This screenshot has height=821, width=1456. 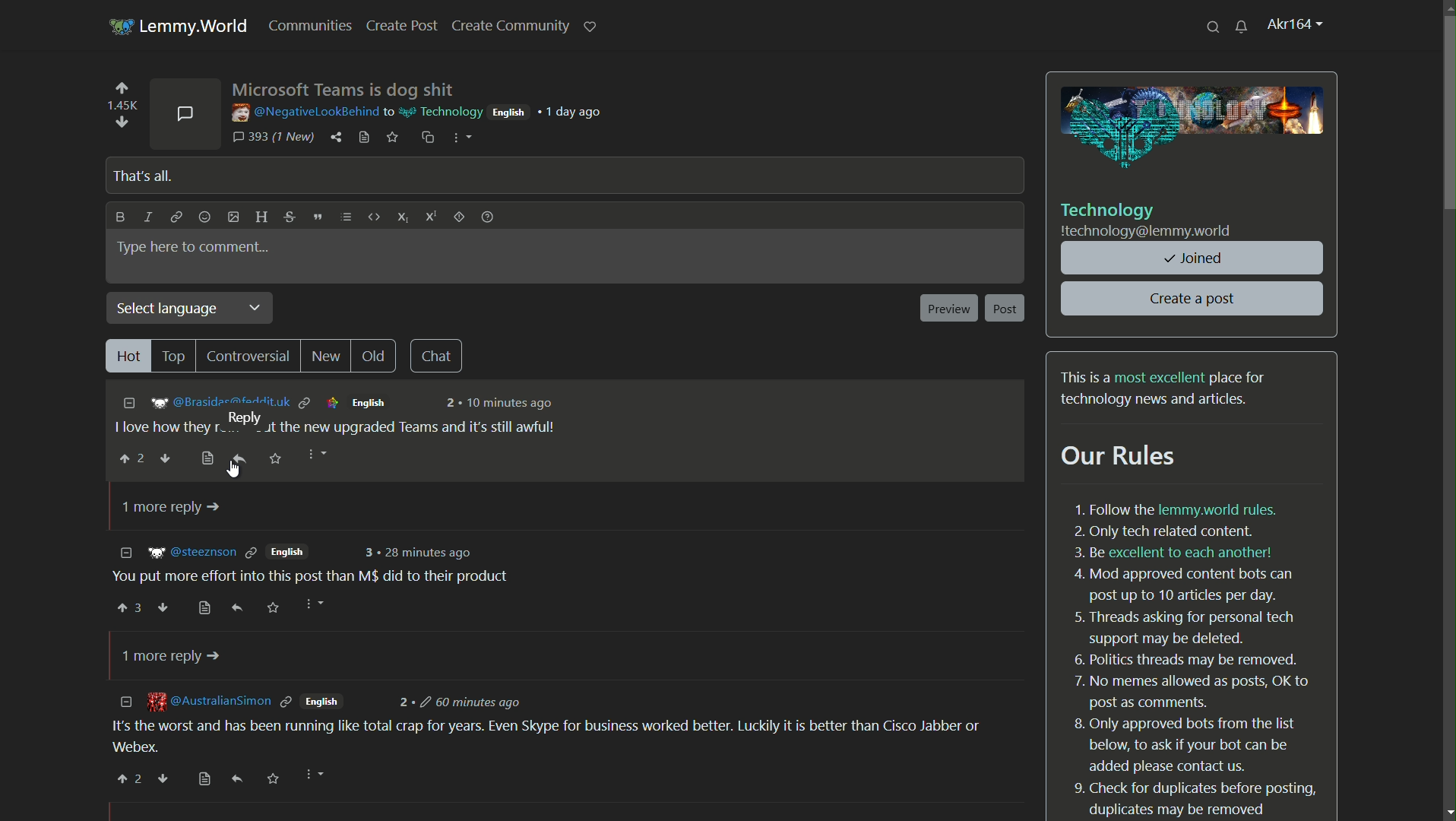 What do you see at coordinates (166, 460) in the screenshot?
I see `downvote` at bounding box center [166, 460].